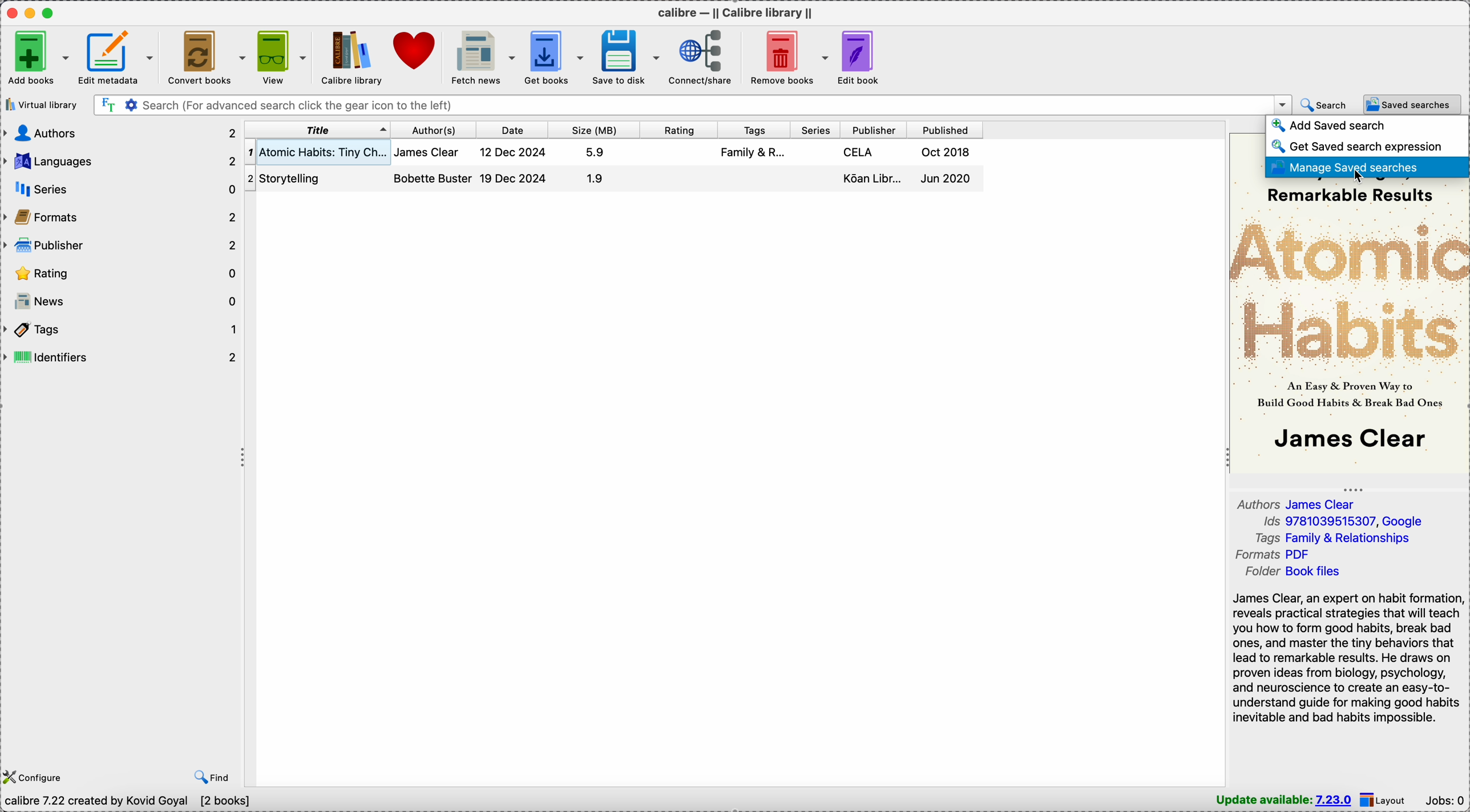 The image size is (1470, 812). What do you see at coordinates (123, 300) in the screenshot?
I see `news` at bounding box center [123, 300].